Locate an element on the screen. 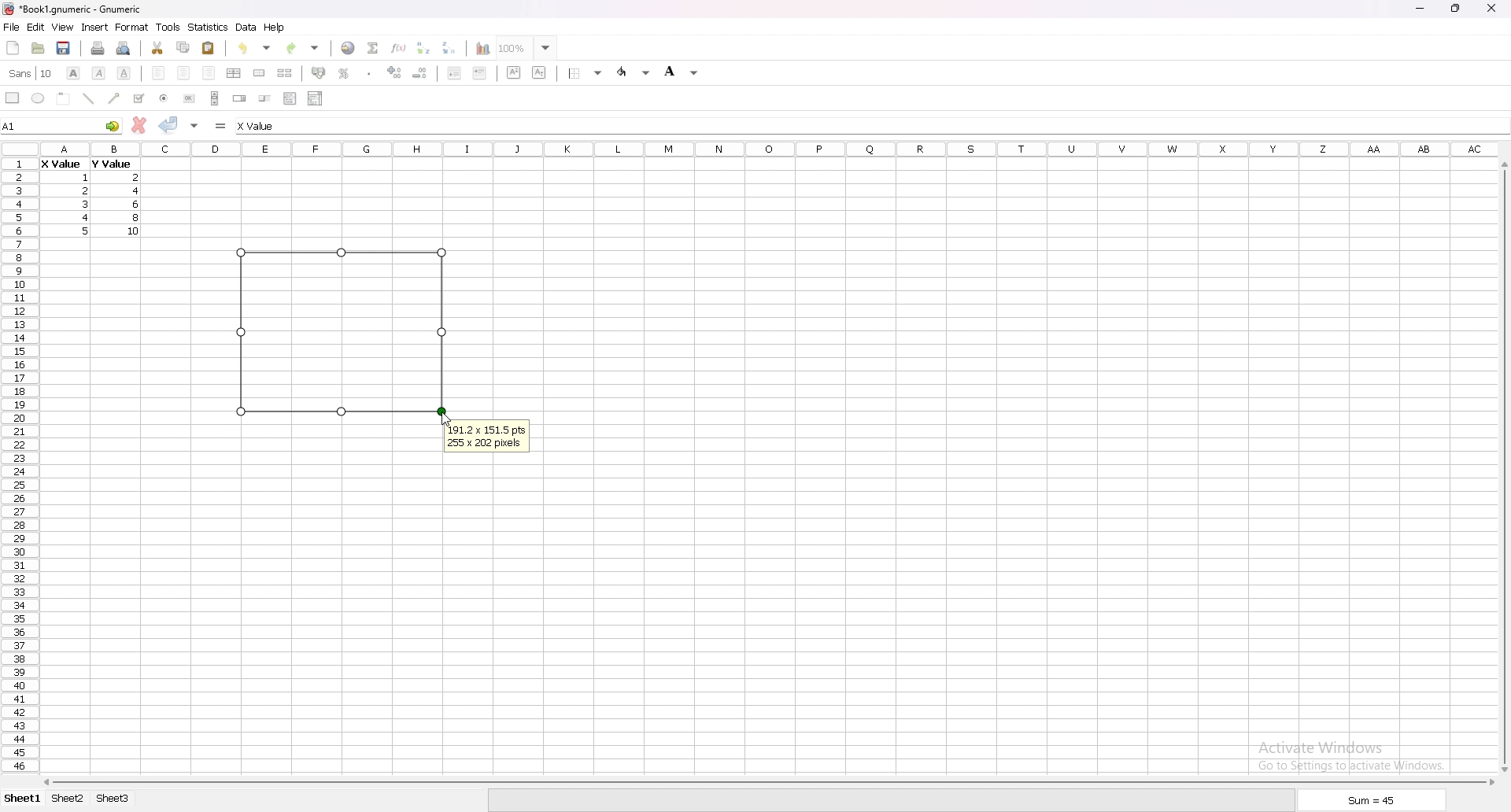 This screenshot has width=1511, height=812. right align is located at coordinates (209, 73).